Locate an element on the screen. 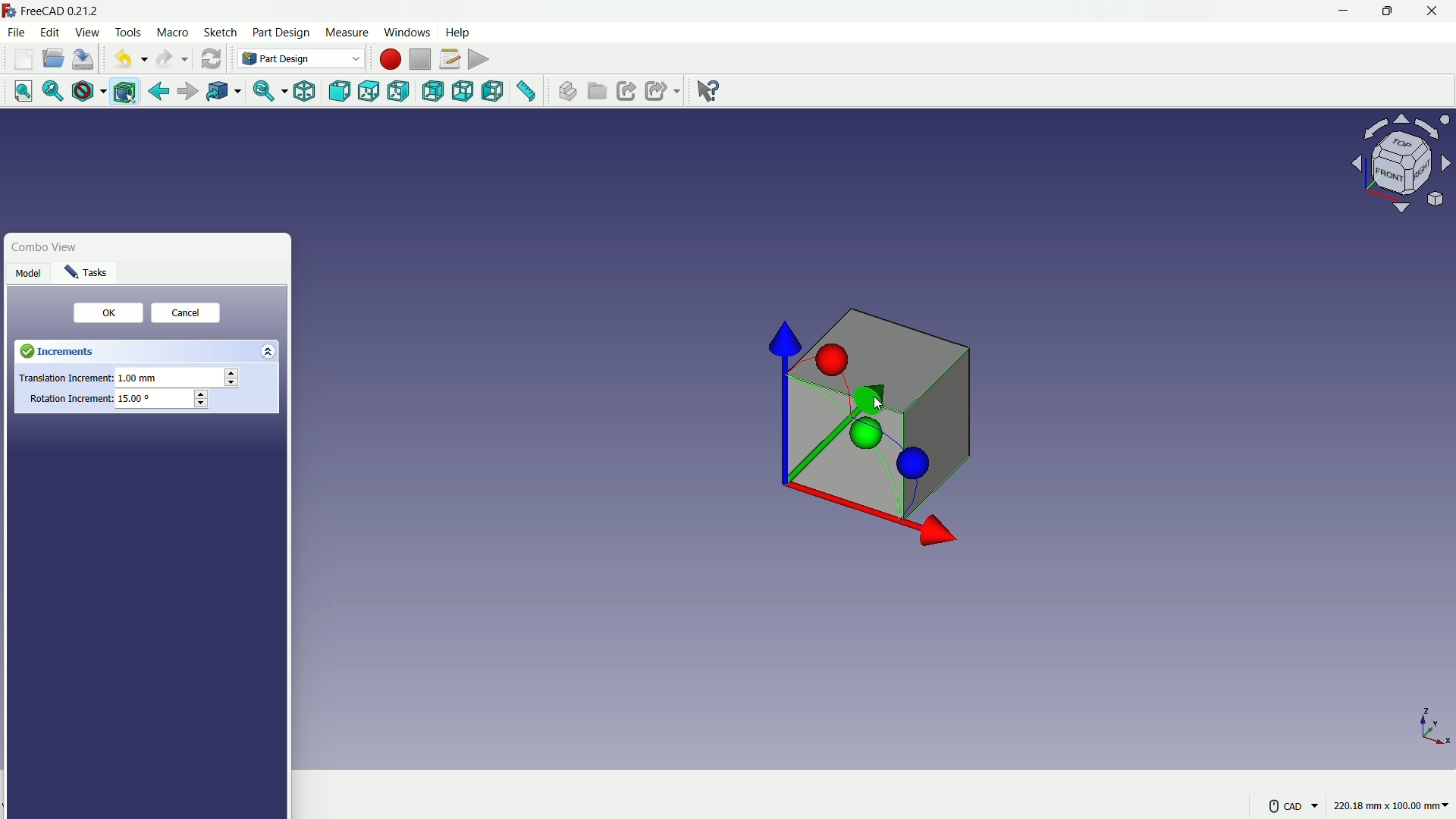 The image size is (1456, 819). go back is located at coordinates (159, 92).